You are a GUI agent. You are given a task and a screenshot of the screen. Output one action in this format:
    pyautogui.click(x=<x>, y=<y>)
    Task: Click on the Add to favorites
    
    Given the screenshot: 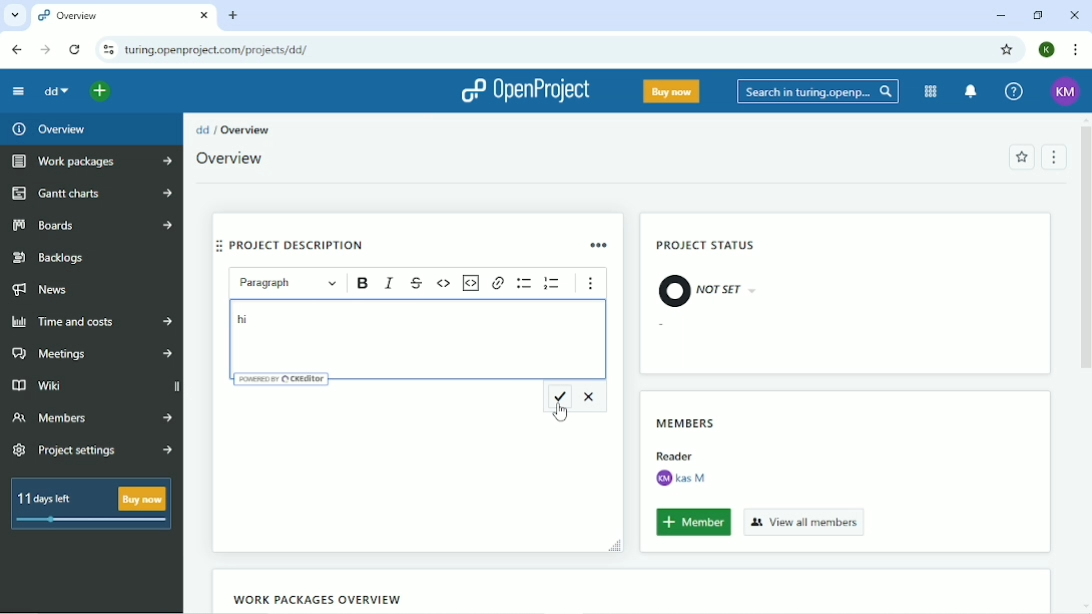 What is the action you would take?
    pyautogui.click(x=1021, y=157)
    